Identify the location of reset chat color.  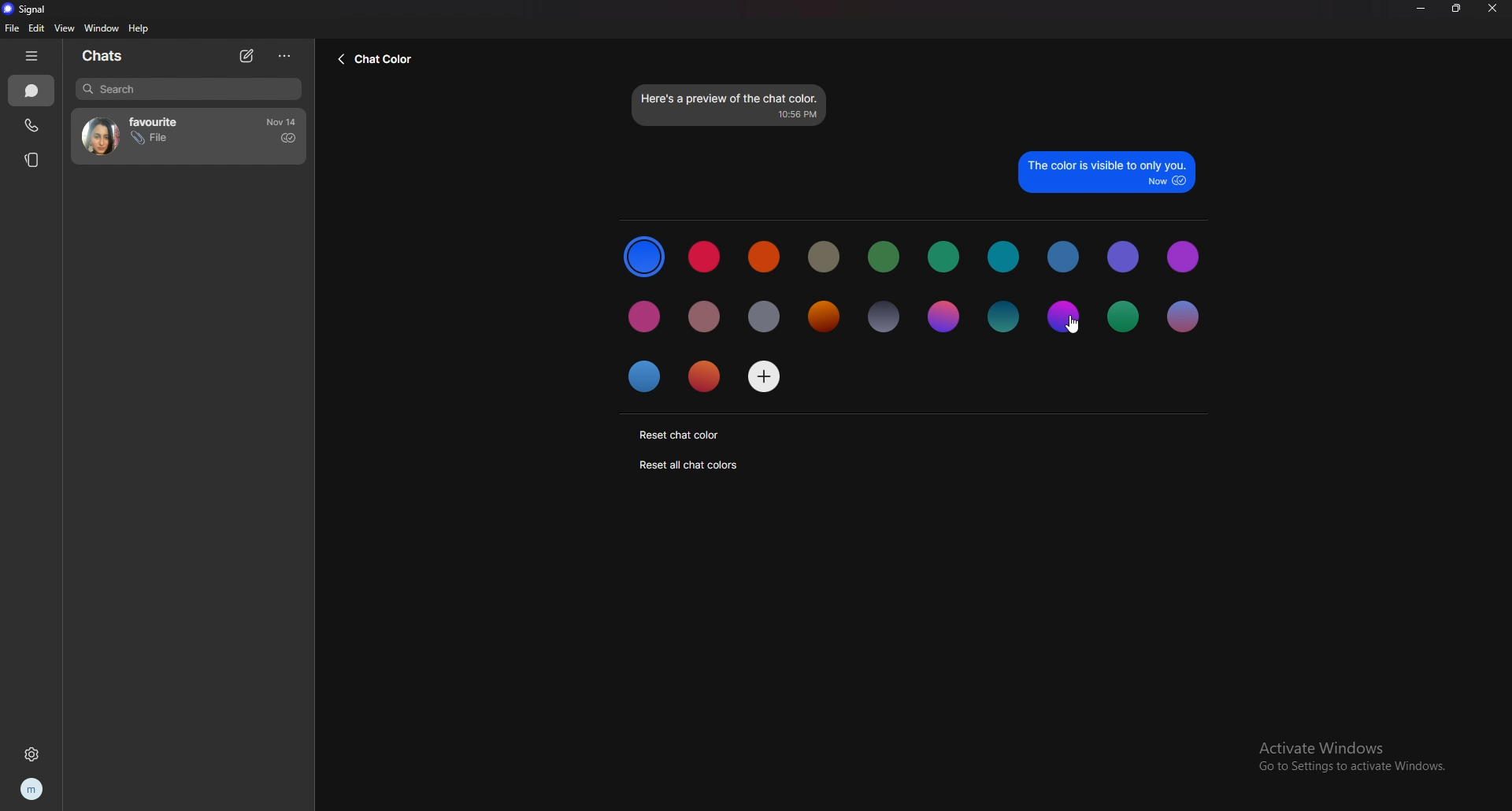
(679, 435).